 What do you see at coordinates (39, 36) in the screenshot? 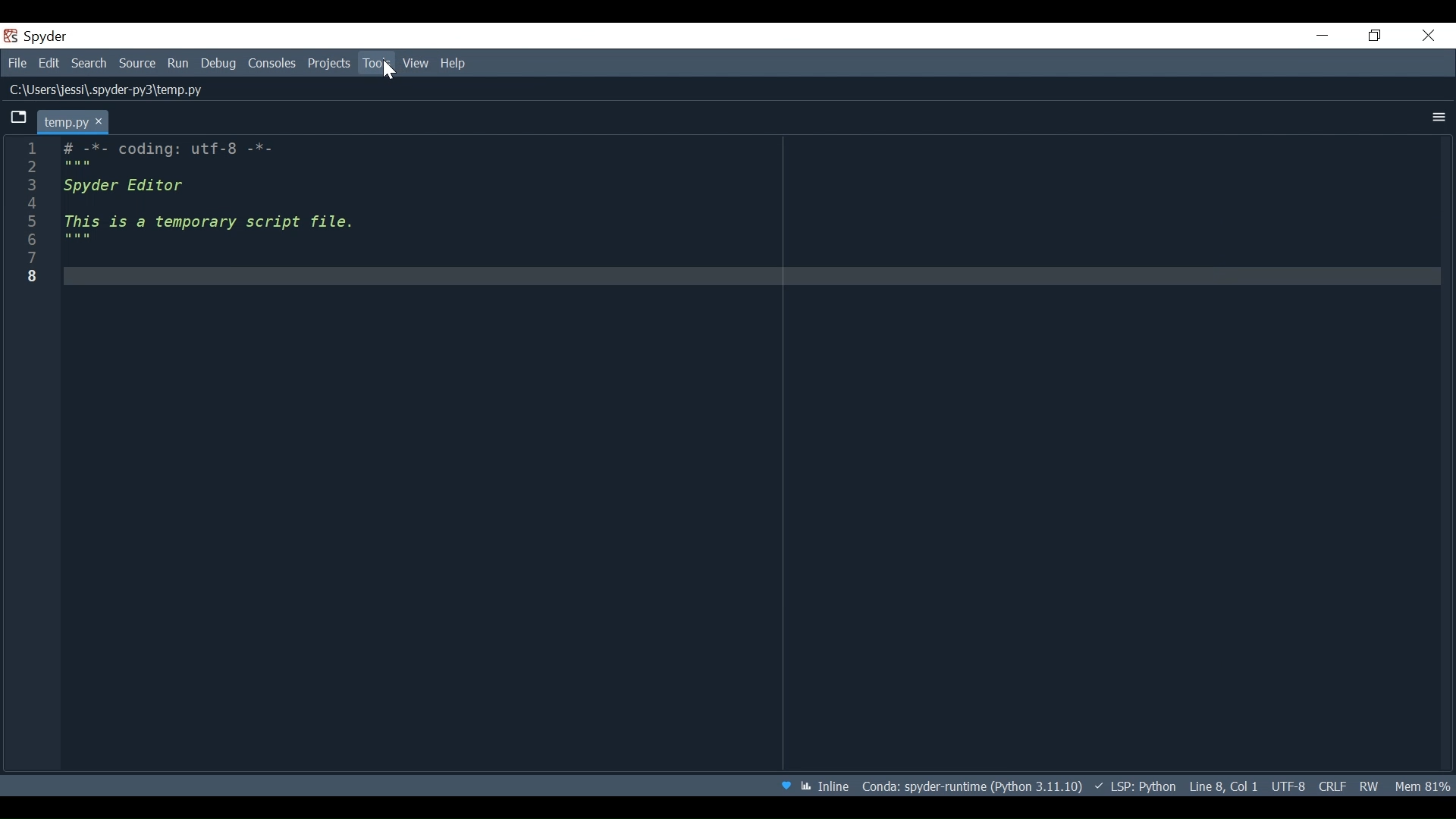
I see `Spyder Desktop Icon` at bounding box center [39, 36].